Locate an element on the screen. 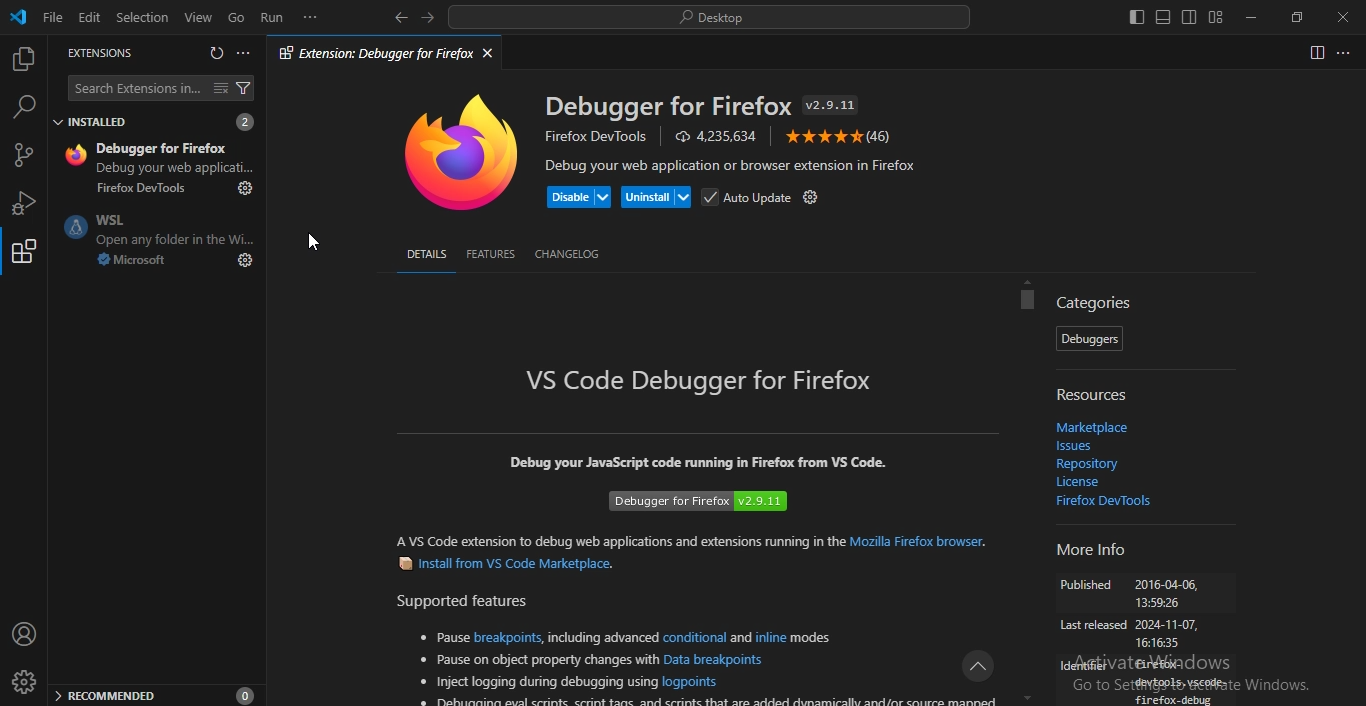  Debug your JavaScript code running in Firefox from VS Code. is located at coordinates (703, 463).